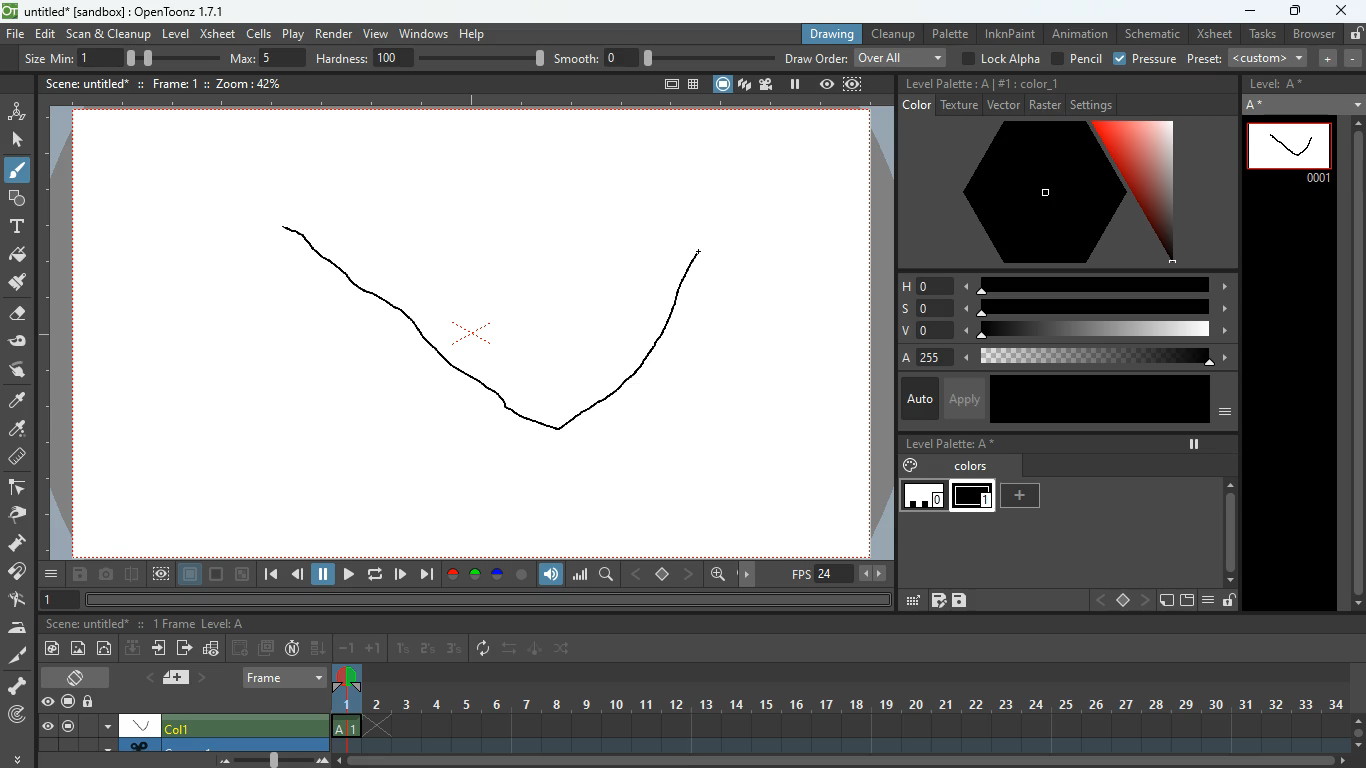  Describe the element at coordinates (1229, 519) in the screenshot. I see `scroll` at that location.